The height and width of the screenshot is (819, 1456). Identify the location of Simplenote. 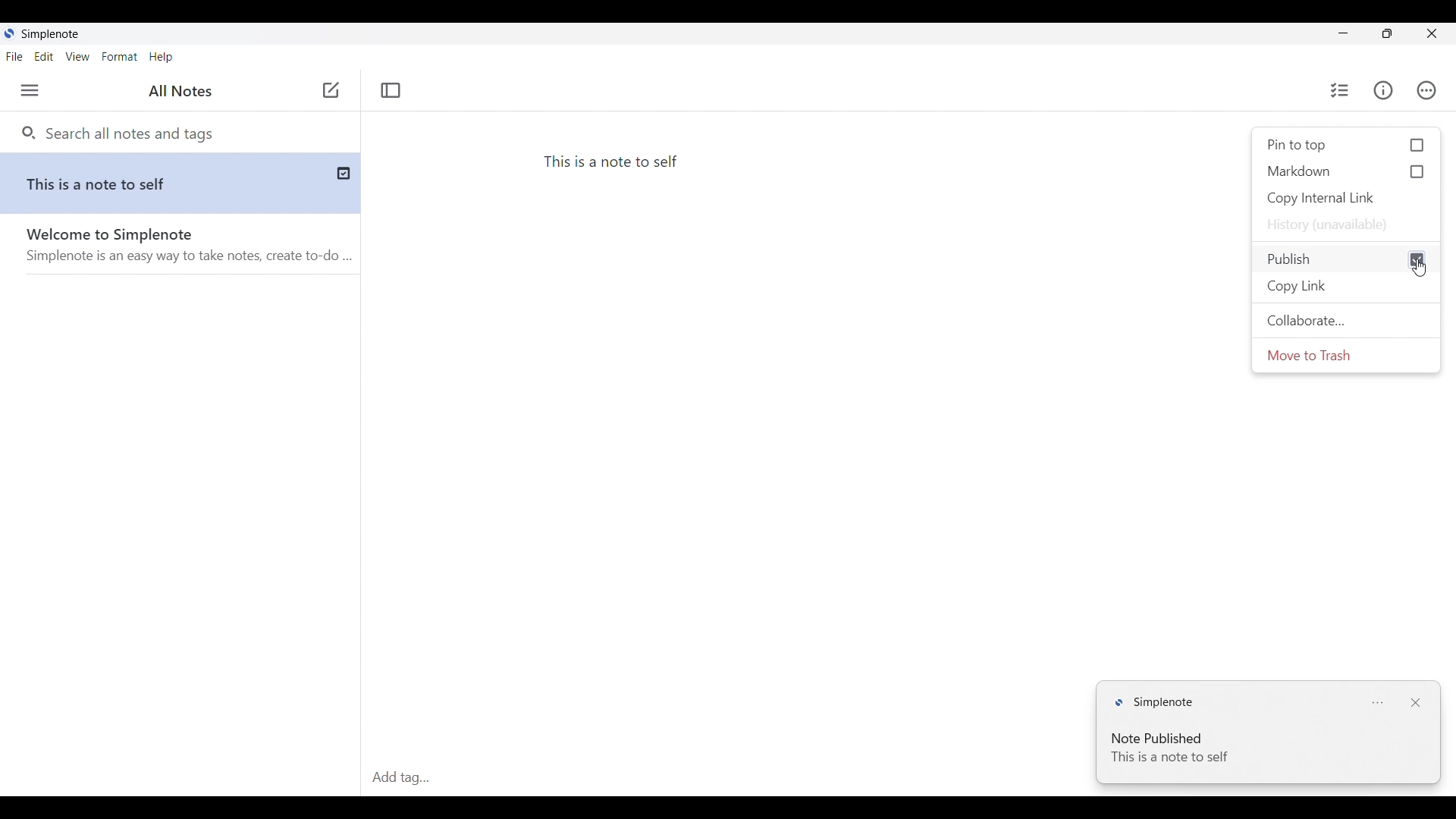
(53, 35).